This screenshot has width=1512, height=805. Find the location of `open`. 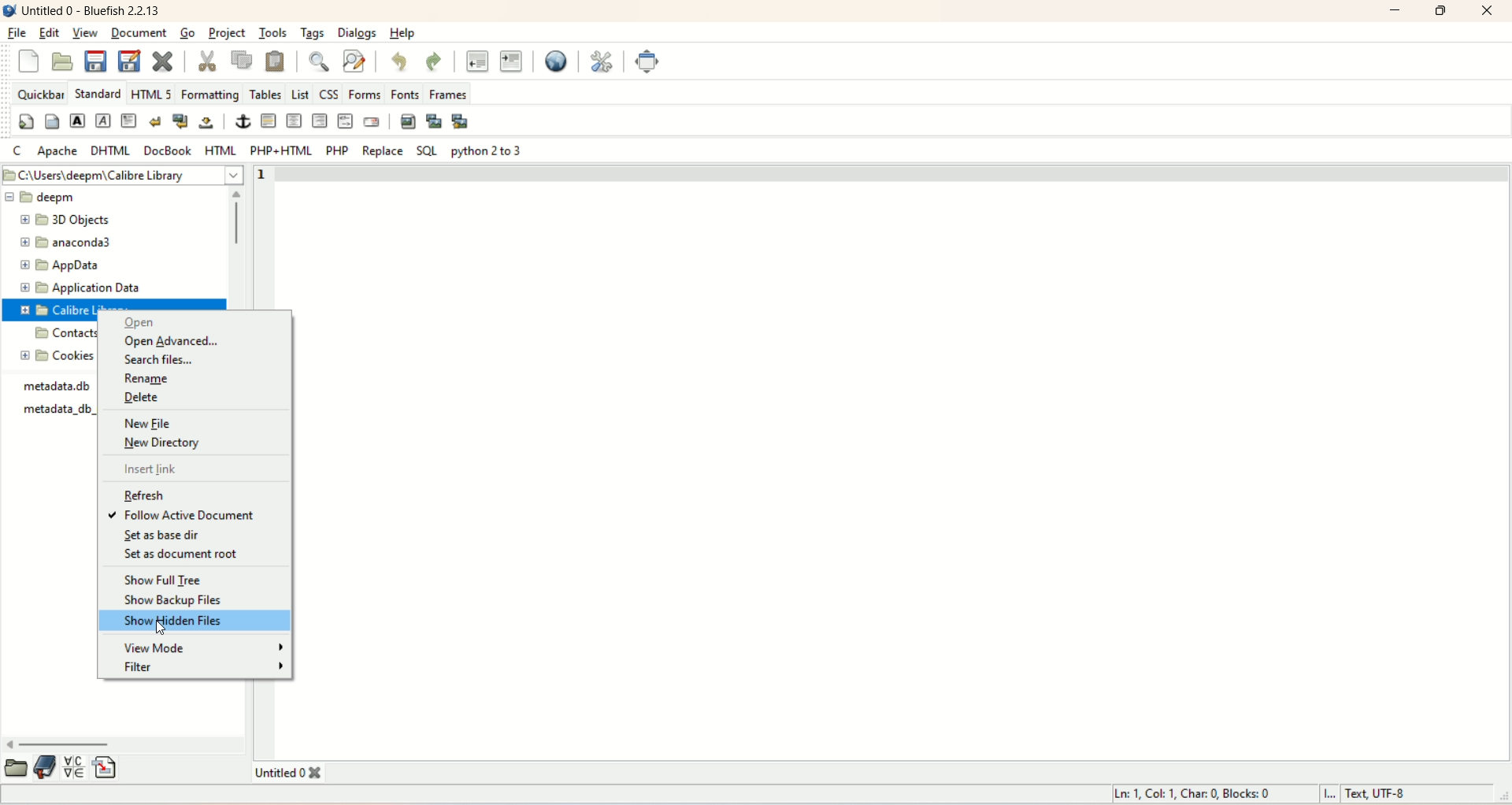

open is located at coordinates (17, 767).